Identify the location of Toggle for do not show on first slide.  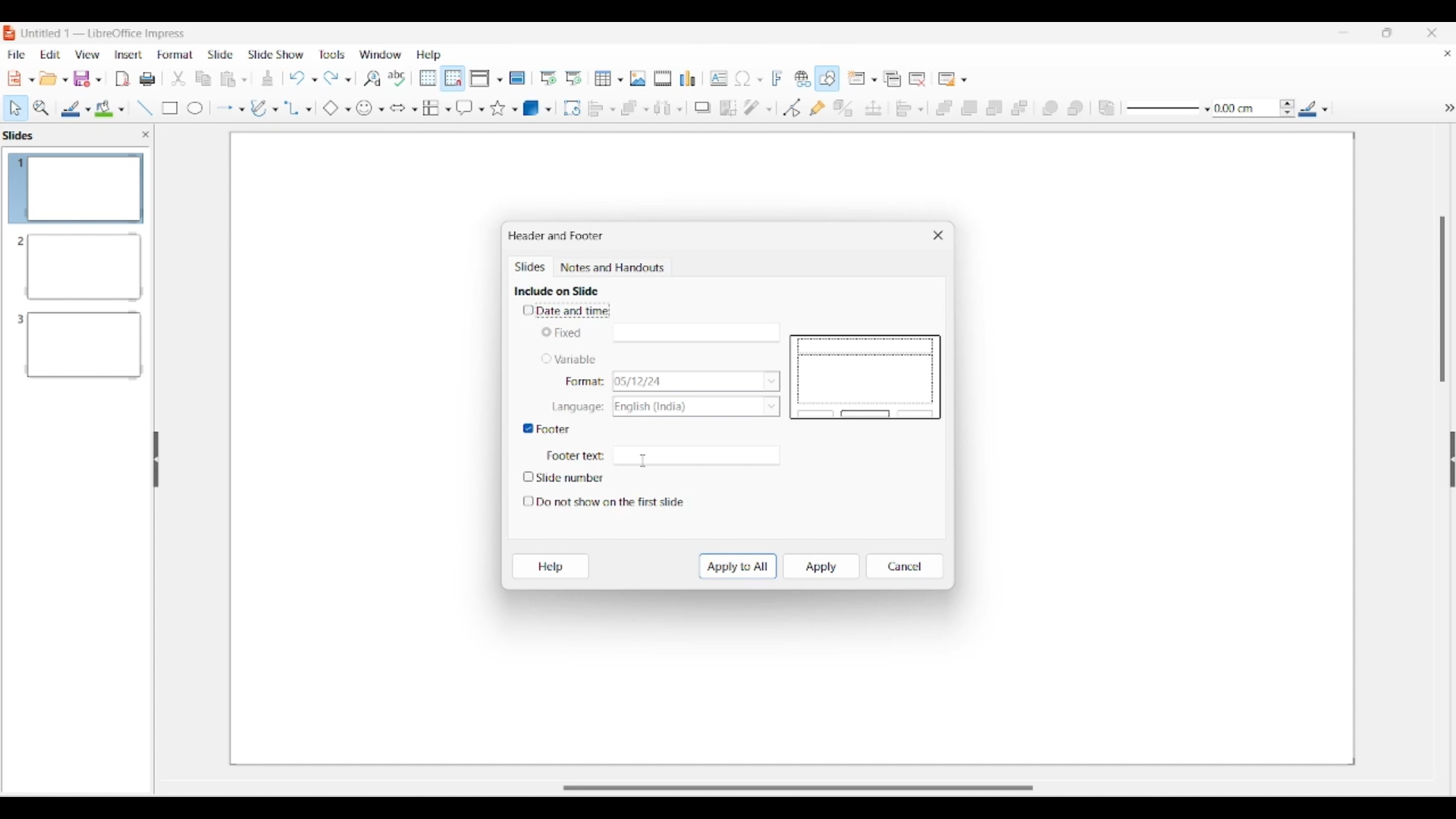
(604, 502).